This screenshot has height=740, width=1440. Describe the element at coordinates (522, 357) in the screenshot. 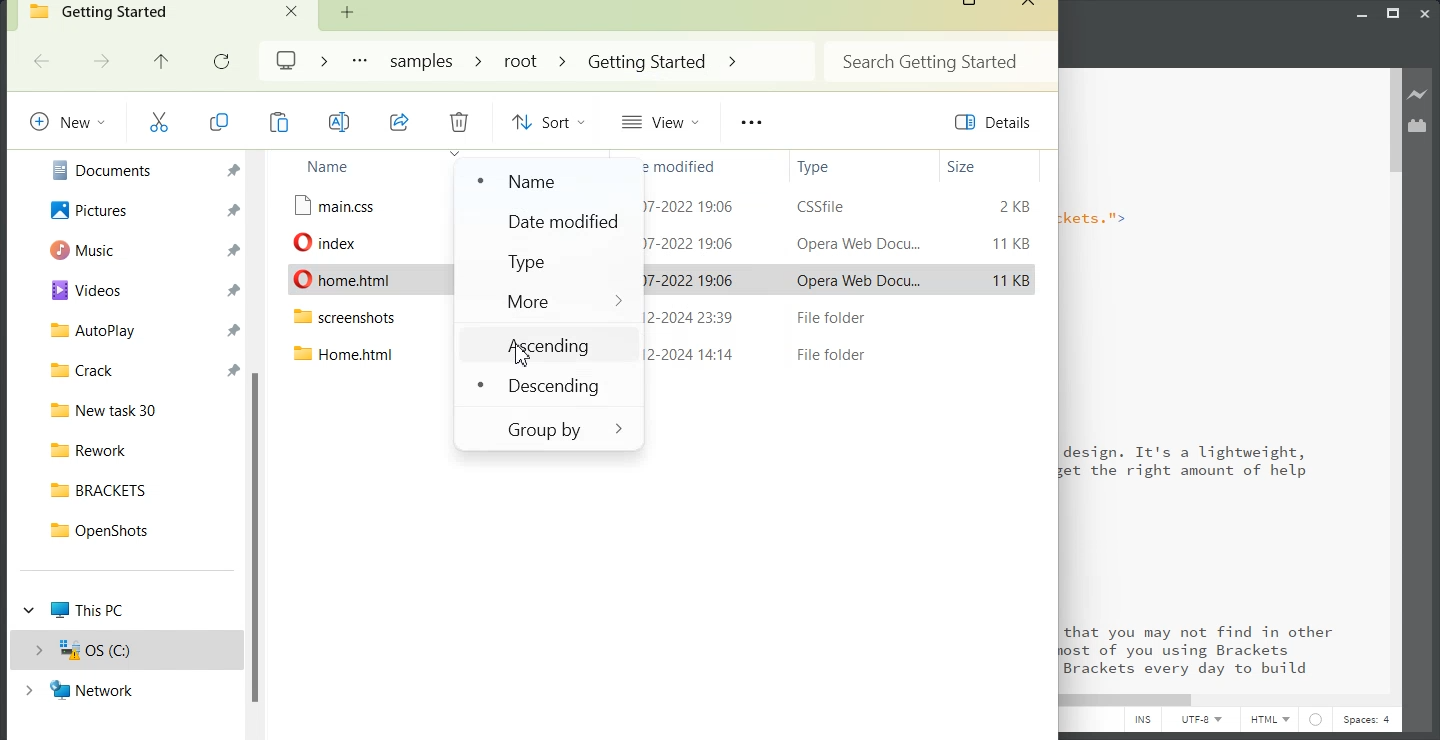

I see `cursor` at that location.